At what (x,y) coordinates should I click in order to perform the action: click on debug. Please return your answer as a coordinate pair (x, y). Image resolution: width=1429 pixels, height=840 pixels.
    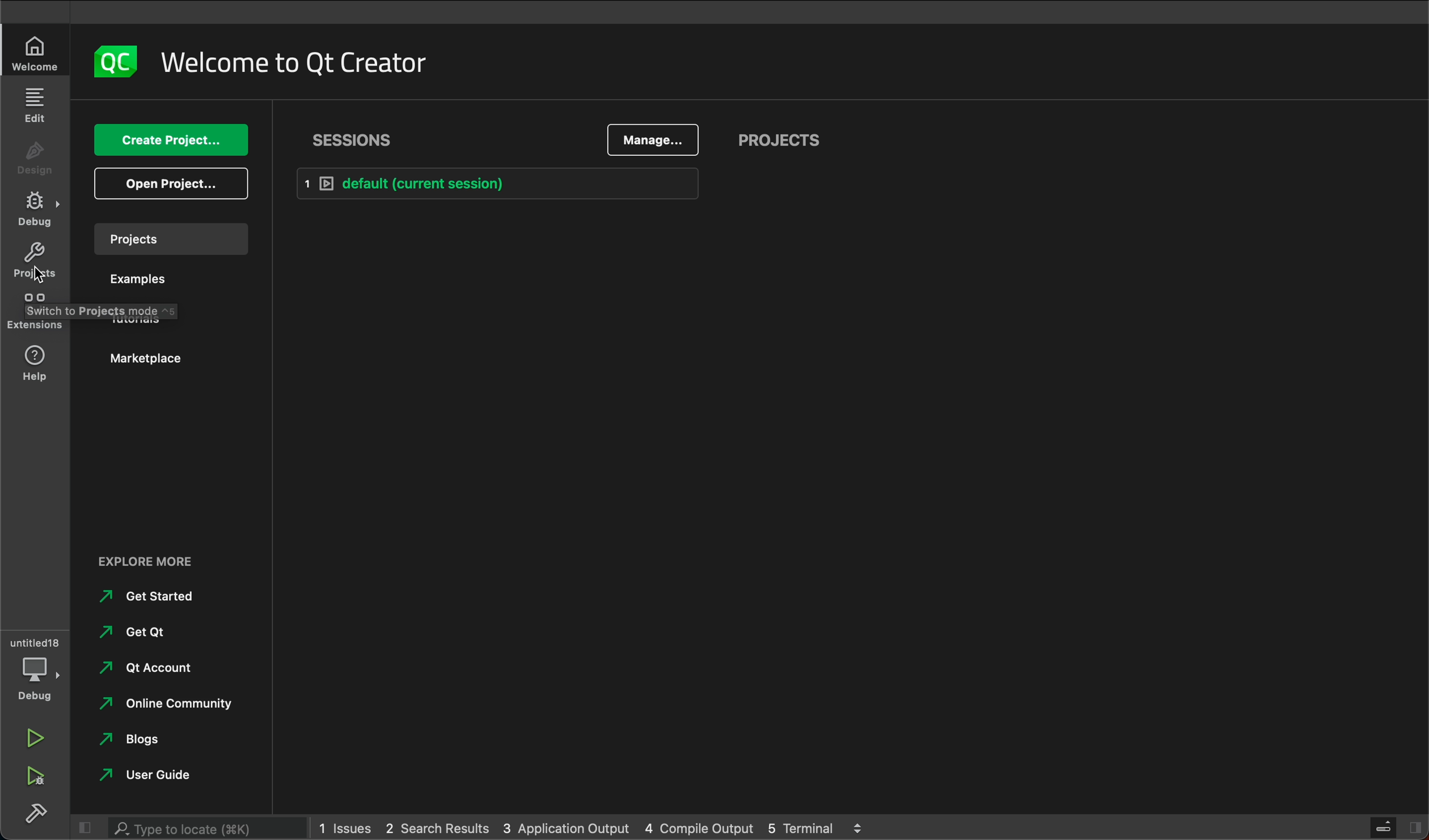
    Looking at the image, I should click on (38, 207).